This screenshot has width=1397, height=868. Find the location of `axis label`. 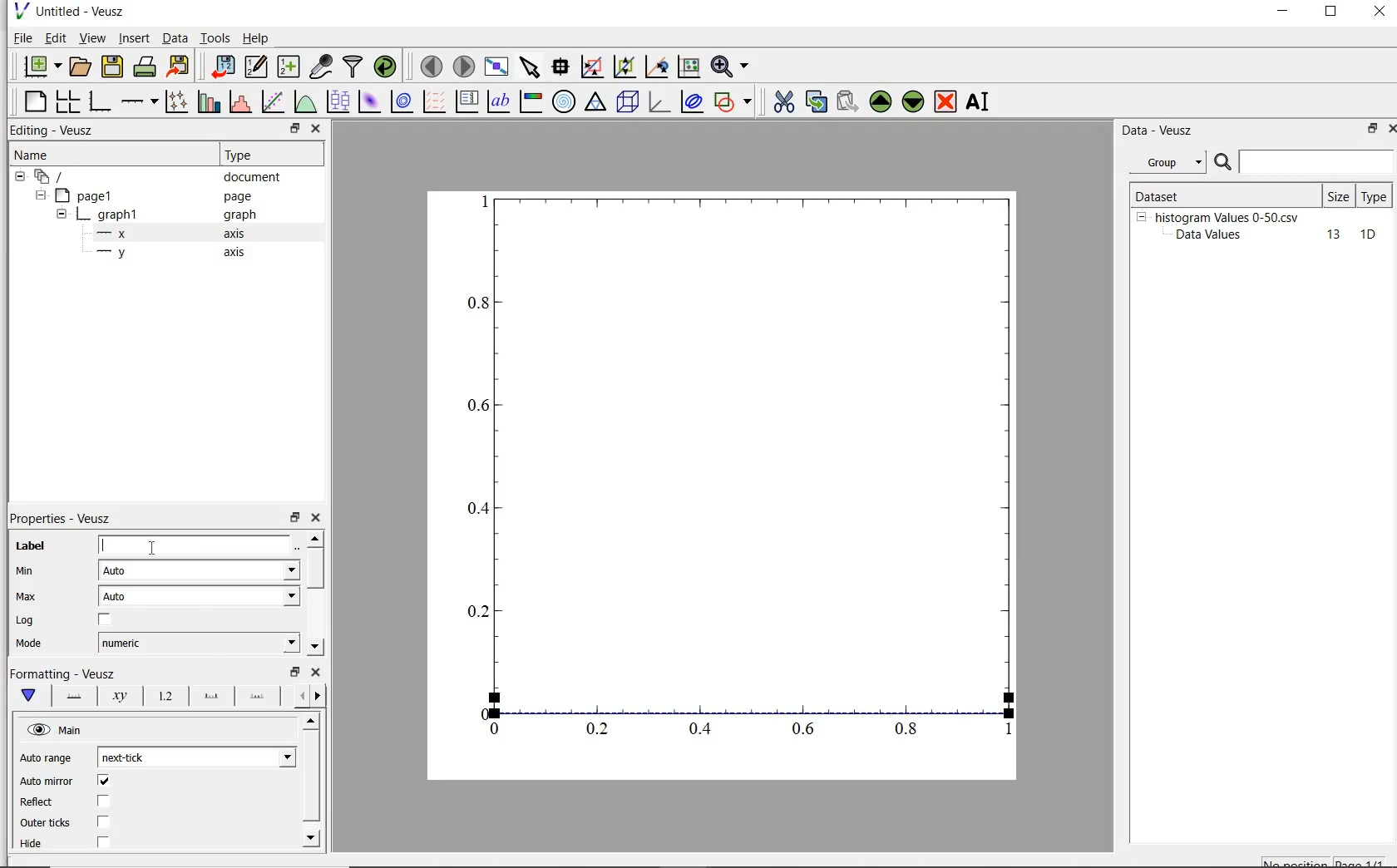

axis label is located at coordinates (121, 696).